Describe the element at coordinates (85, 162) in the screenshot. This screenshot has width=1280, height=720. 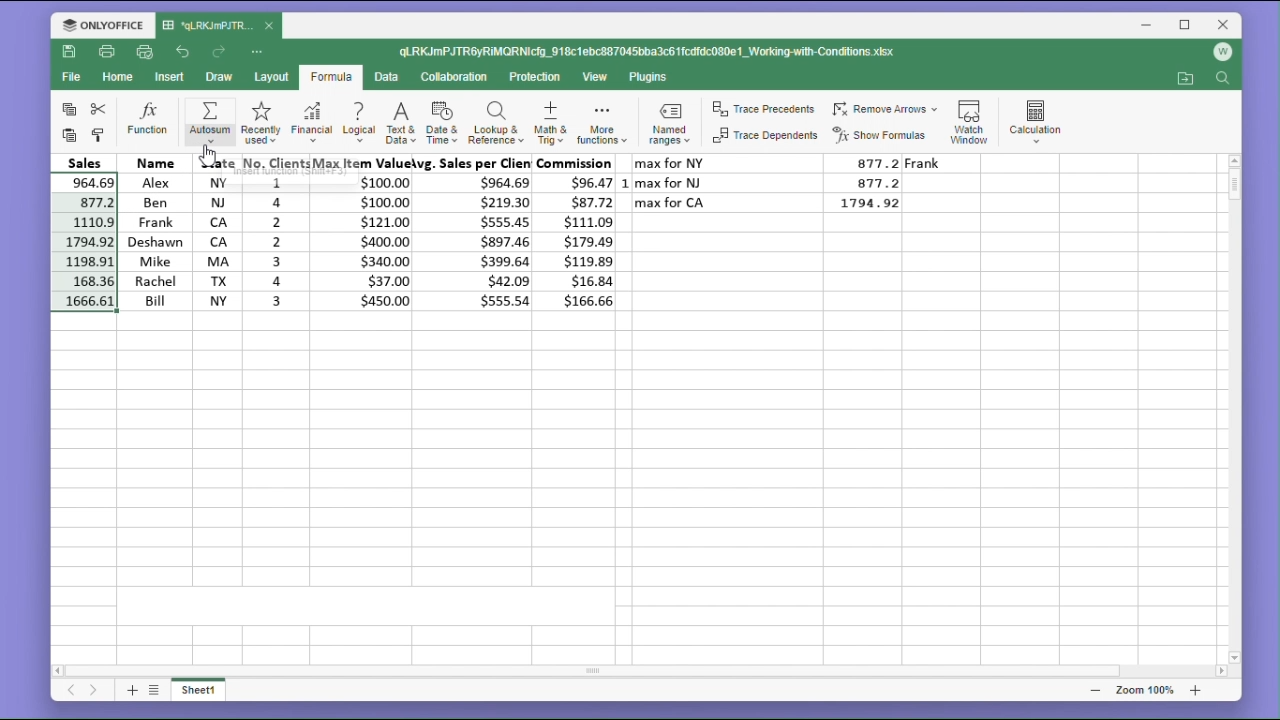
I see `Sales` at that location.